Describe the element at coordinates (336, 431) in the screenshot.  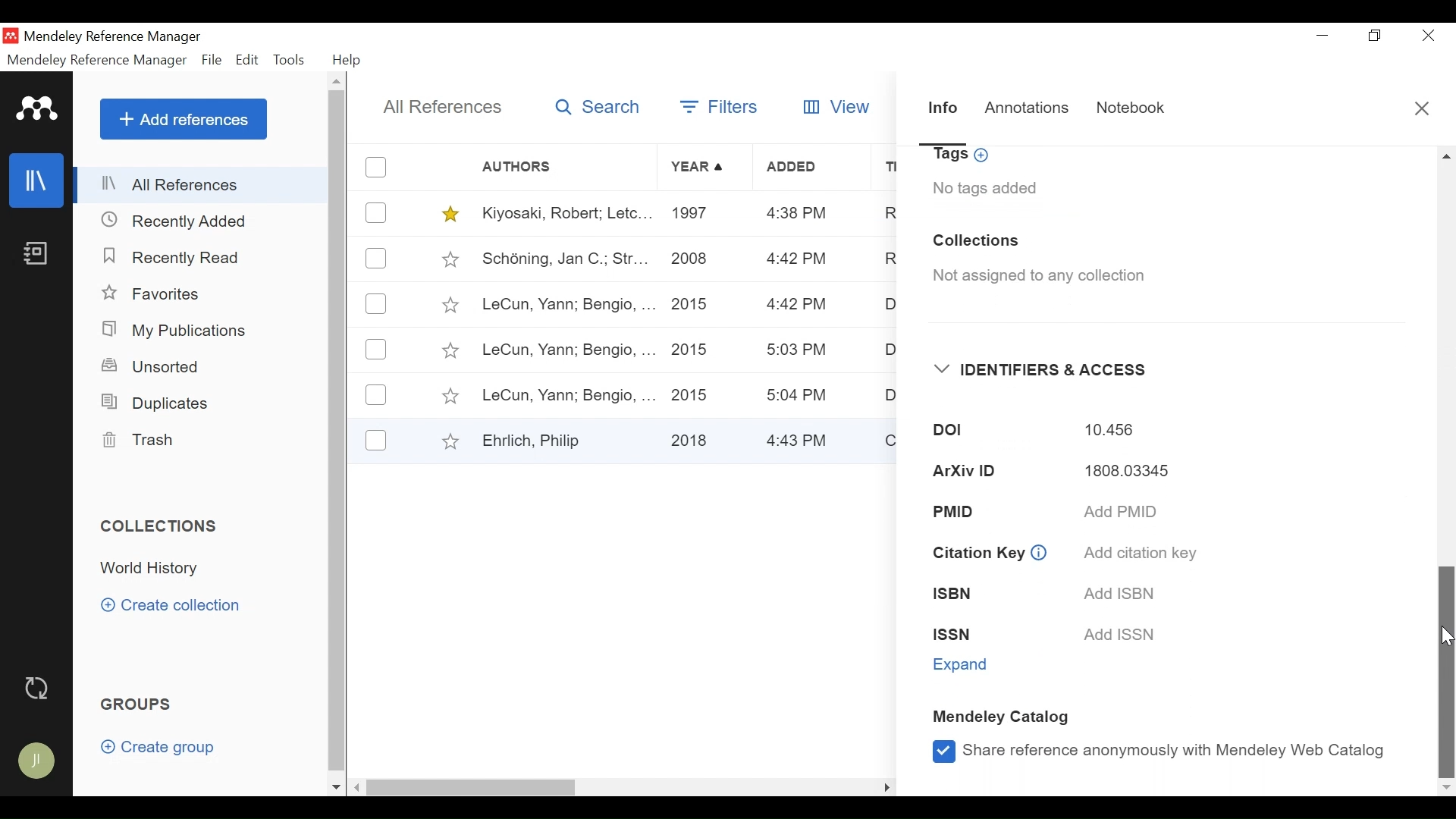
I see `vertical scroll bar` at that location.